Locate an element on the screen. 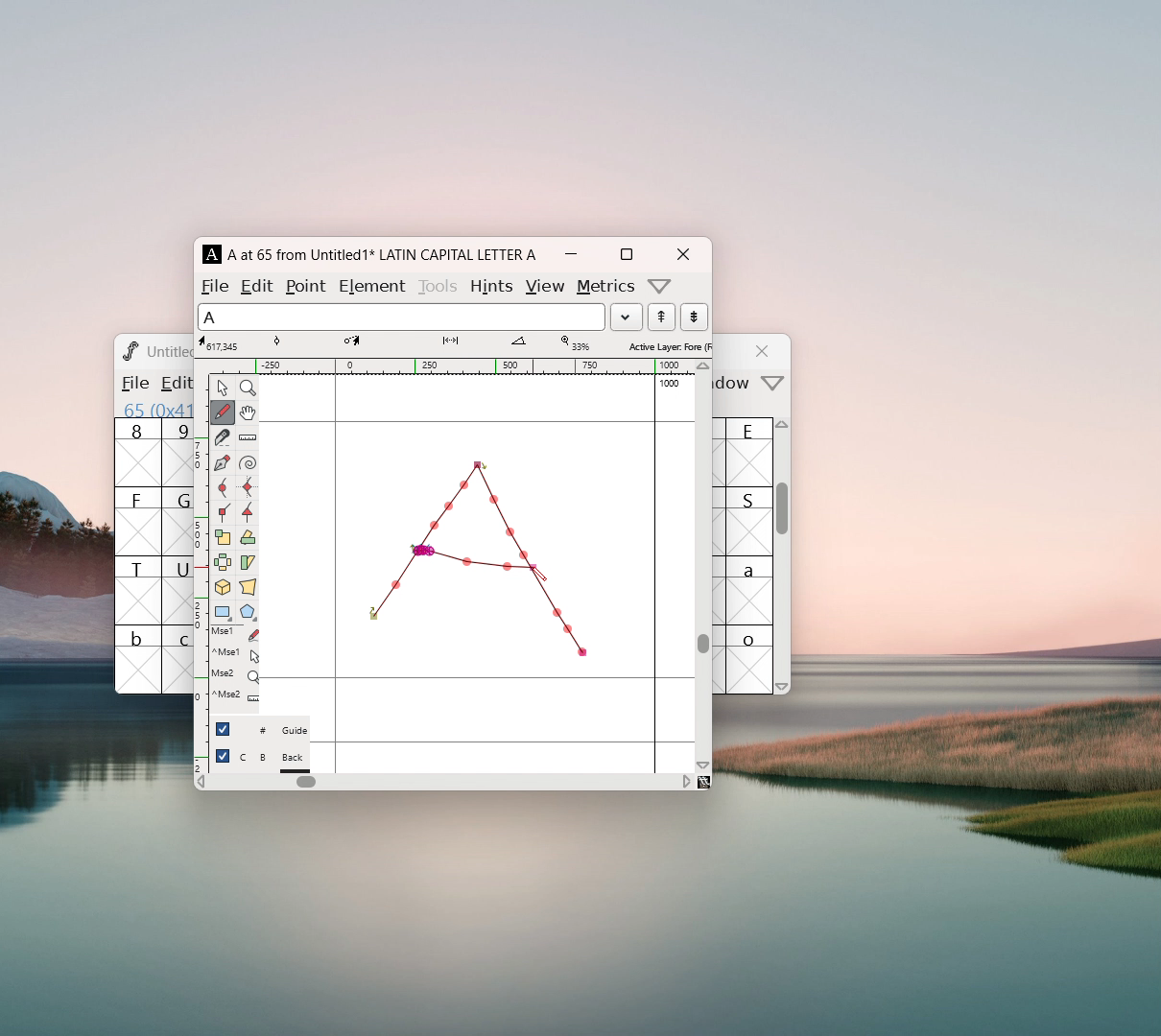 The height and width of the screenshot is (1036, 1161). A is located at coordinates (213, 254).